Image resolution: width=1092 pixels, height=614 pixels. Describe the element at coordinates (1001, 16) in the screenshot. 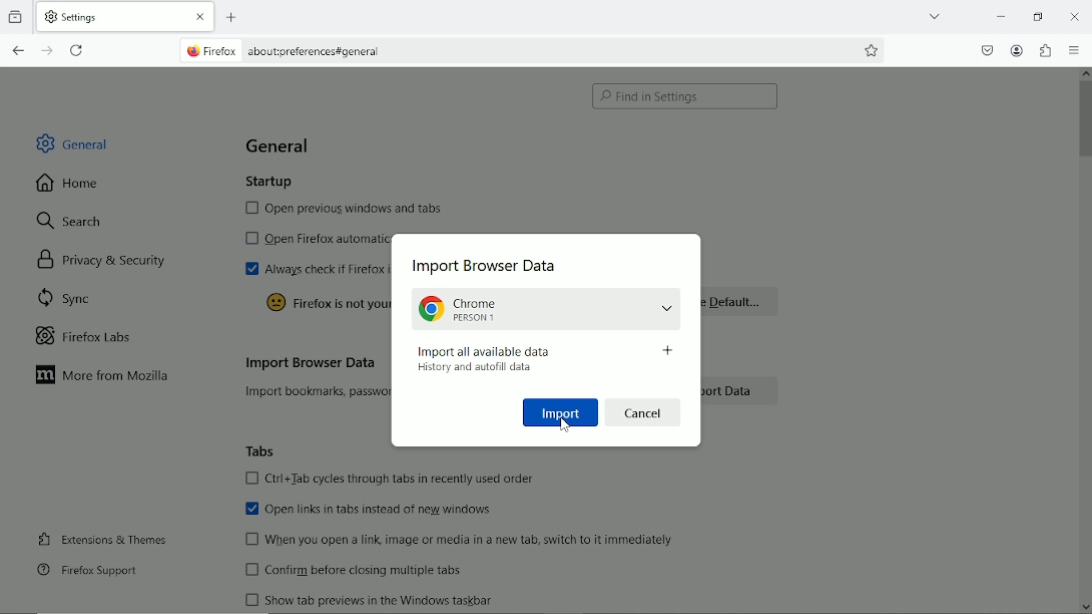

I see `Minimize` at that location.